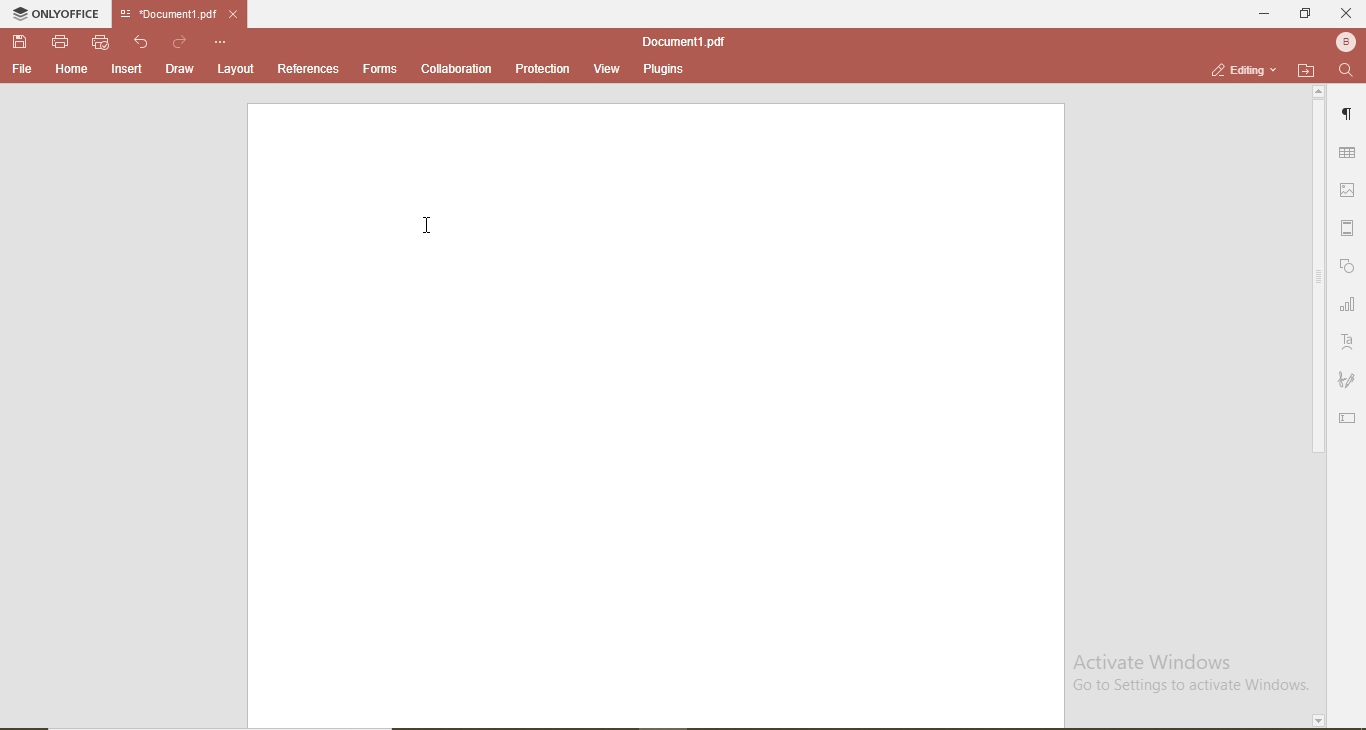  I want to click on document, so click(681, 41).